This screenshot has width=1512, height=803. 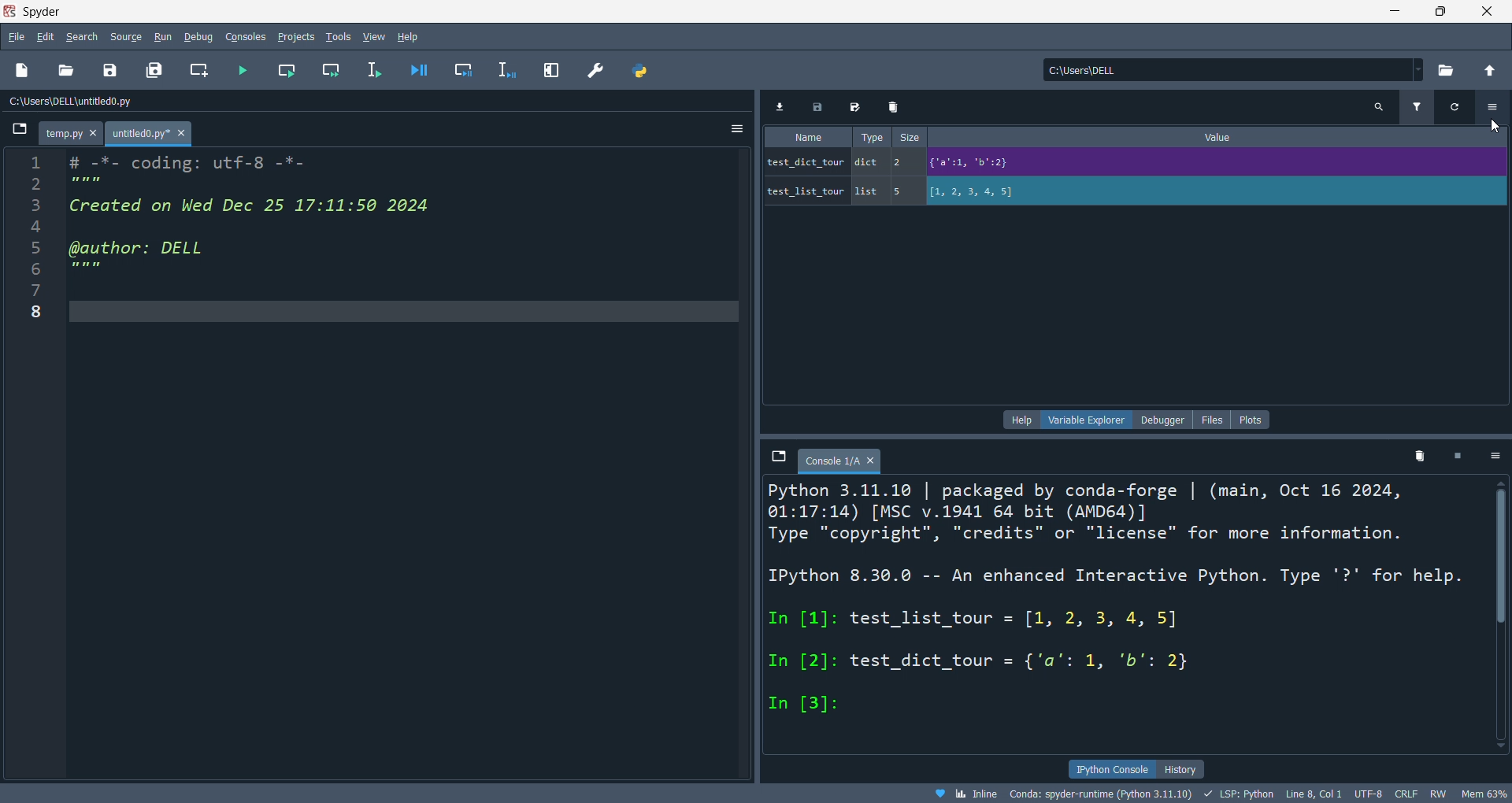 I want to click on ipython console, so click(x=1110, y=767).